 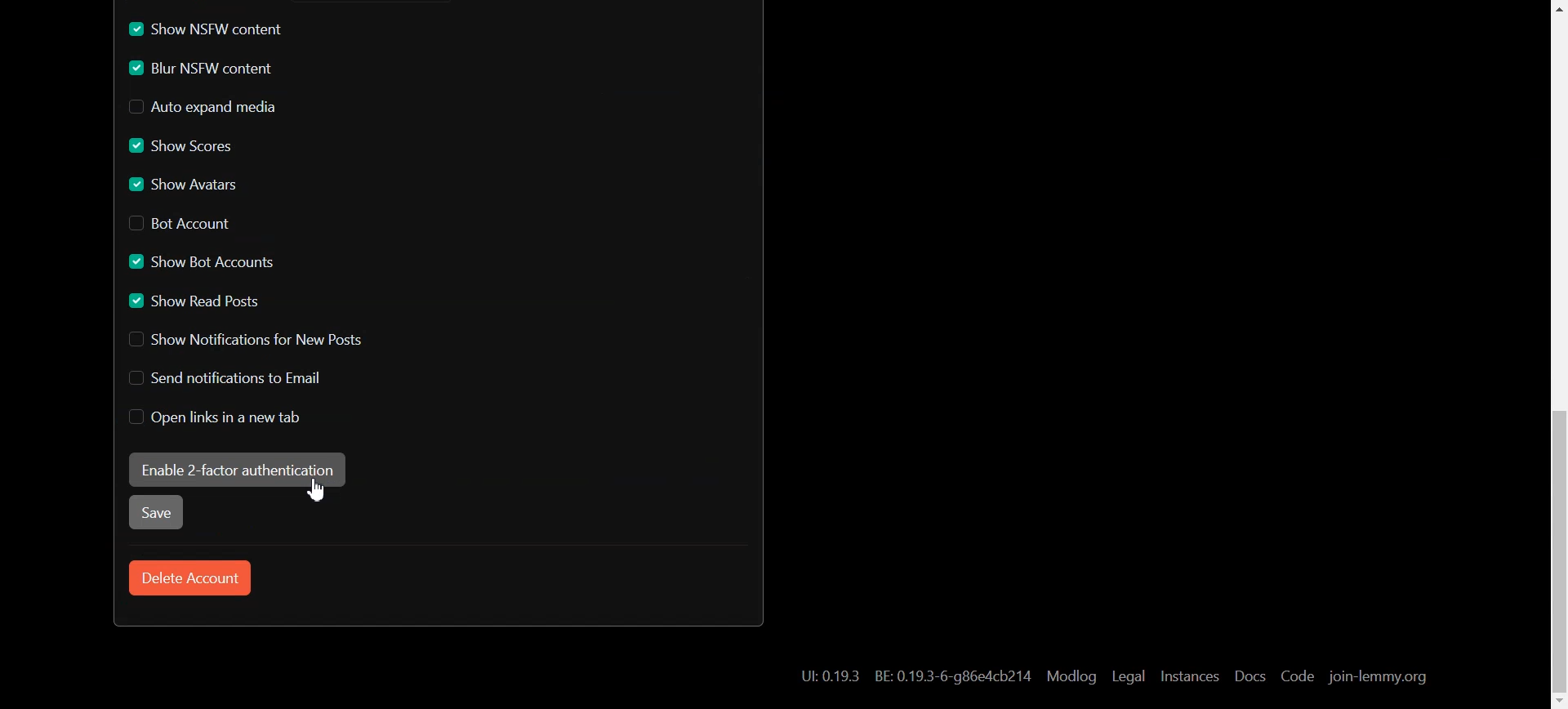 I want to click on Disable Bot Account, so click(x=187, y=221).